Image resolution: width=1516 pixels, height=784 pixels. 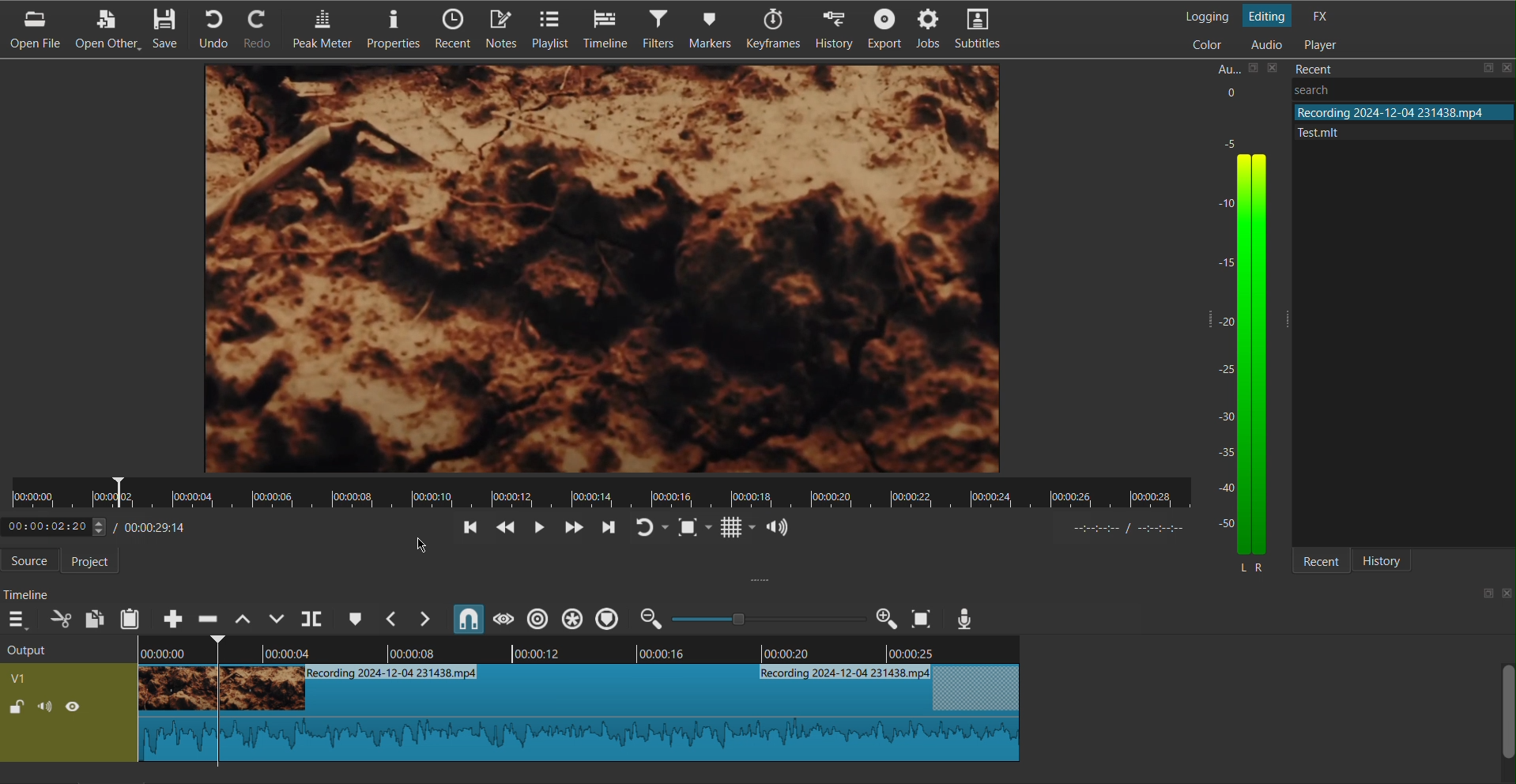 What do you see at coordinates (778, 529) in the screenshot?
I see `Show the volume control` at bounding box center [778, 529].